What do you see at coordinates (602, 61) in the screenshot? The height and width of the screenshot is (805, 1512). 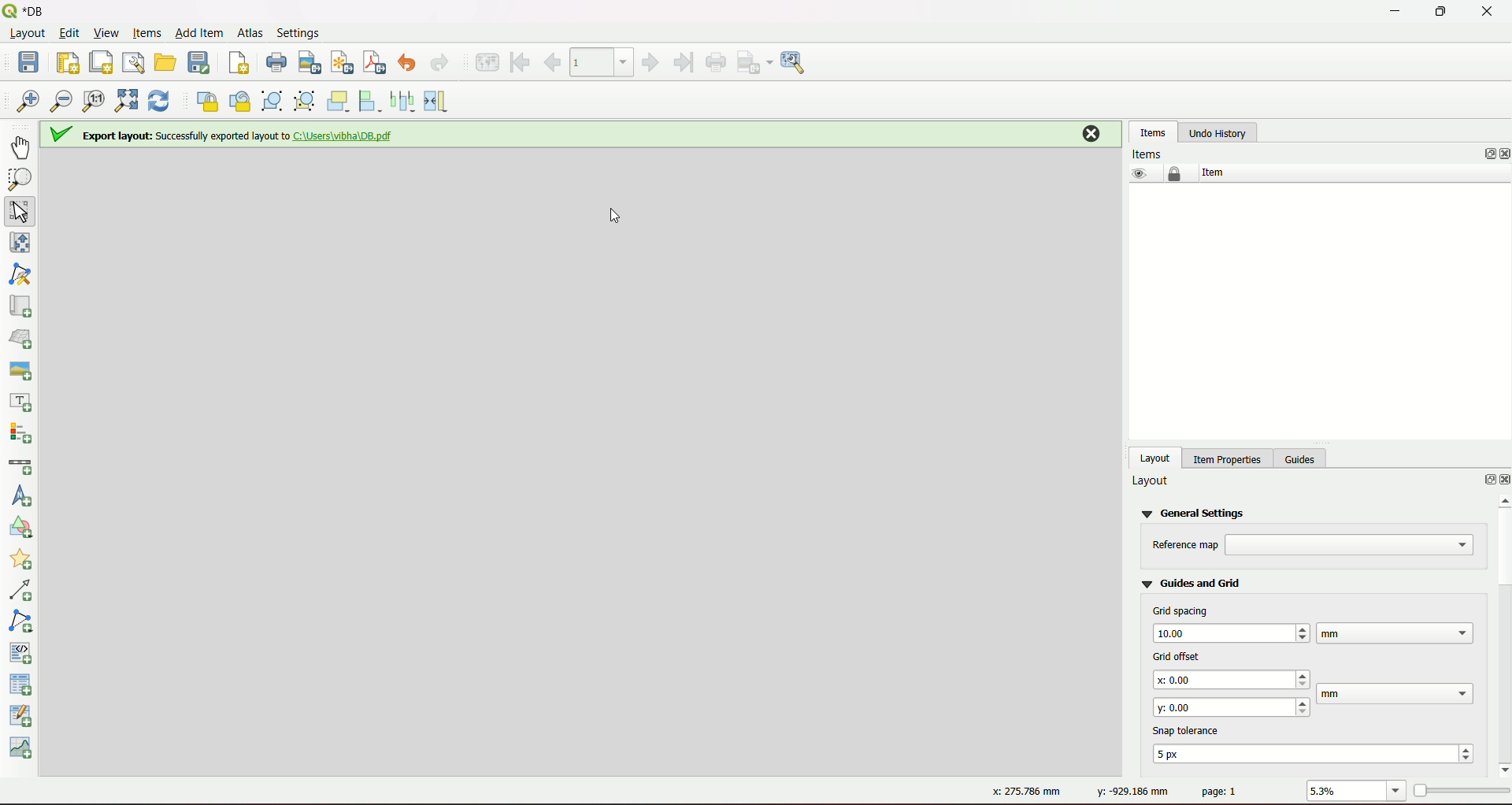 I see `atlas toolbar` at bounding box center [602, 61].